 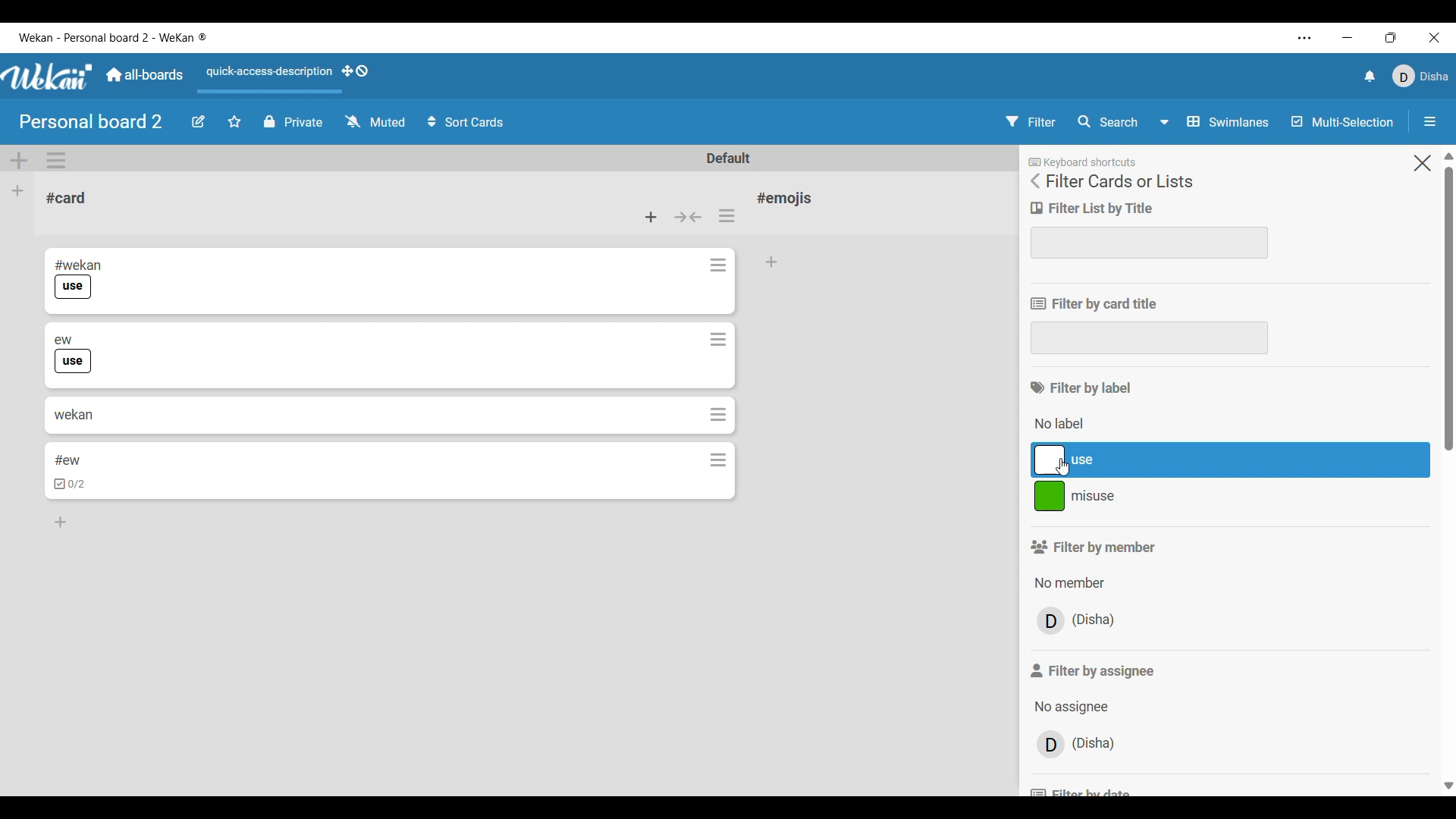 I want to click on Sort card options, so click(x=466, y=121).